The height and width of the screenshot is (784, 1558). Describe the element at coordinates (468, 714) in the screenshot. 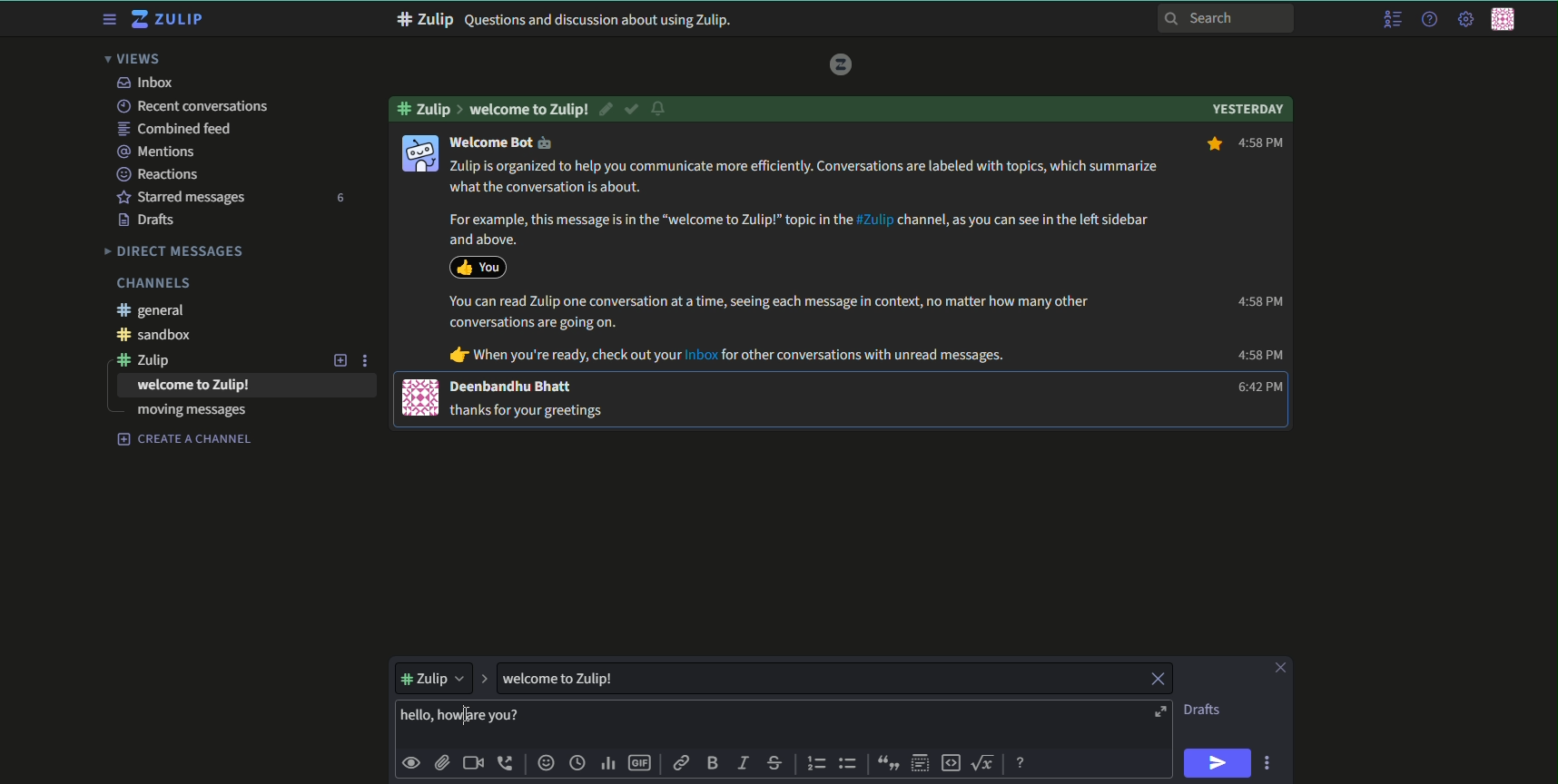

I see `Cursor` at that location.